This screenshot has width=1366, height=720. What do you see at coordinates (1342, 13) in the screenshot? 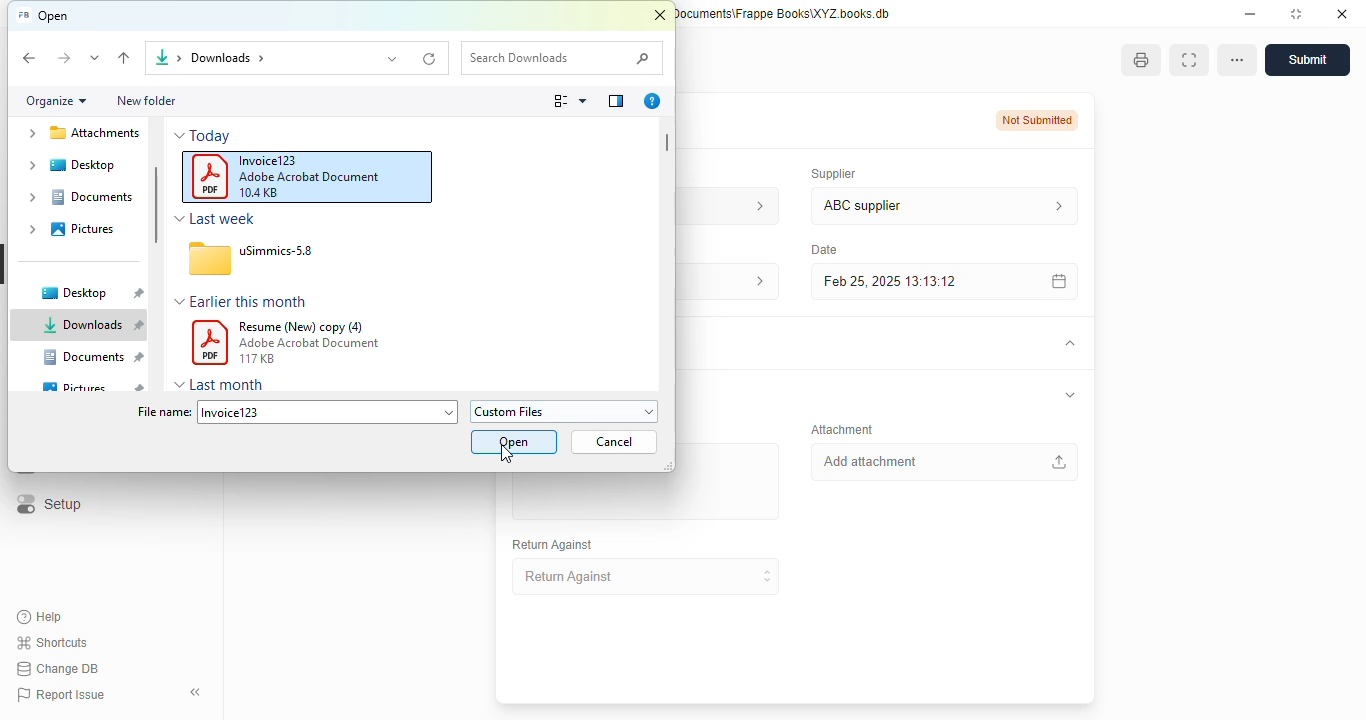
I see `close` at bounding box center [1342, 13].